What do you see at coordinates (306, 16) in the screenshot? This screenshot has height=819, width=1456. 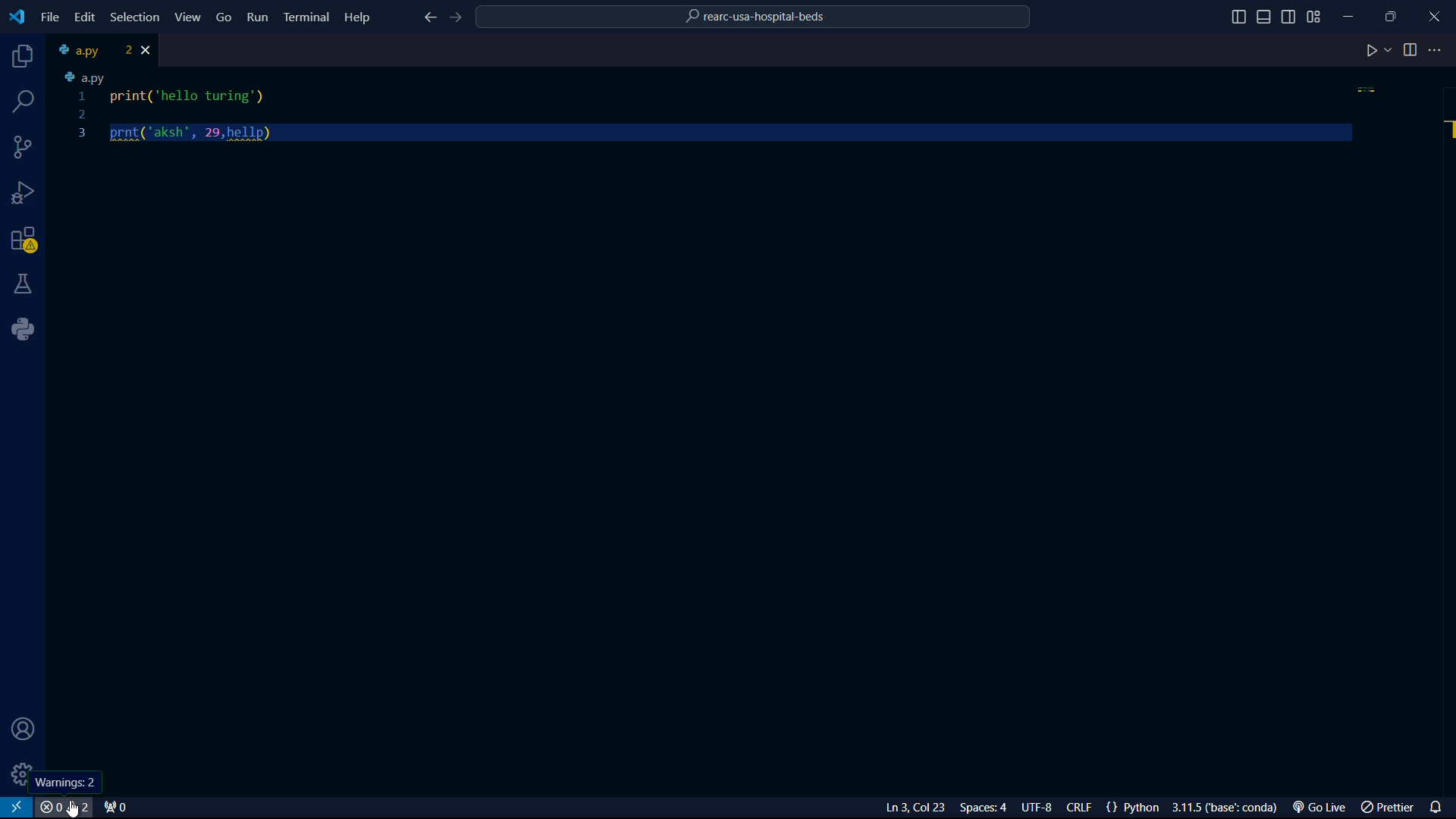 I see `Terminal` at bounding box center [306, 16].